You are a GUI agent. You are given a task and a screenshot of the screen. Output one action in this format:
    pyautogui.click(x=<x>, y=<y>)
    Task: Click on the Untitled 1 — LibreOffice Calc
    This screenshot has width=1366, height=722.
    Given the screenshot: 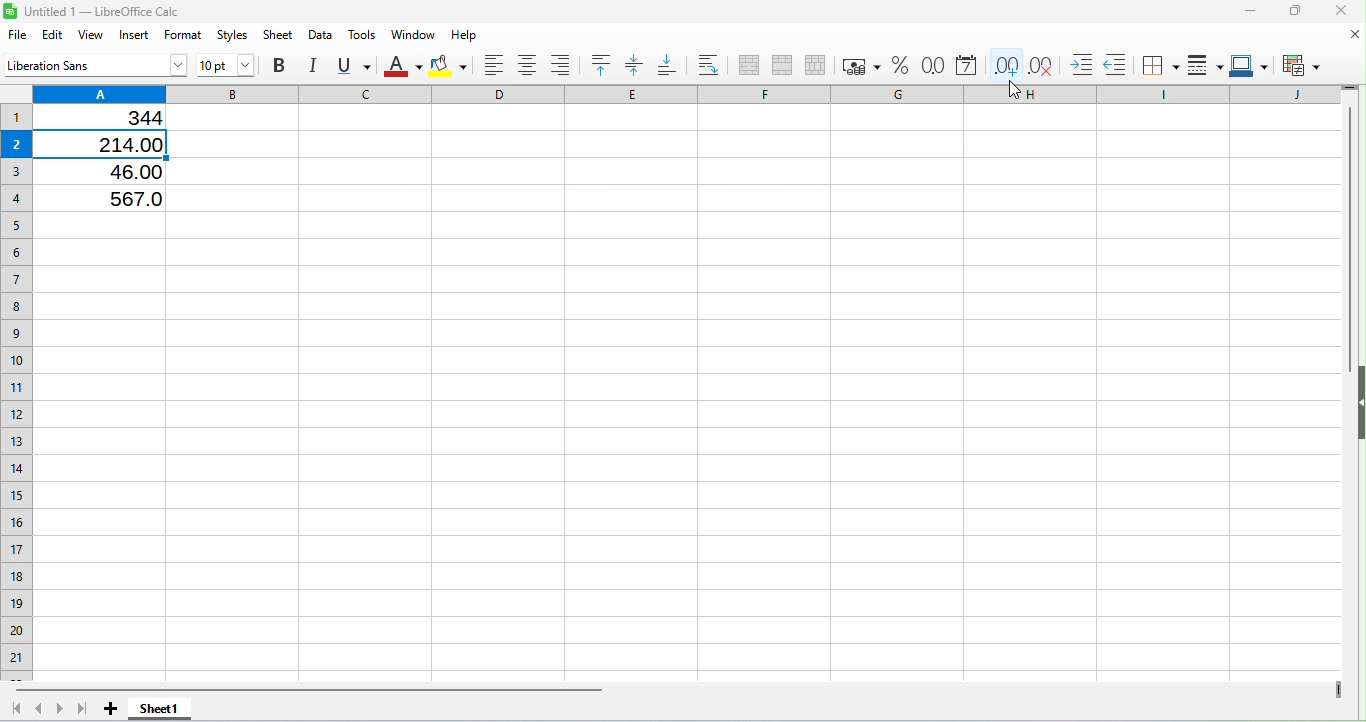 What is the action you would take?
    pyautogui.click(x=96, y=12)
    